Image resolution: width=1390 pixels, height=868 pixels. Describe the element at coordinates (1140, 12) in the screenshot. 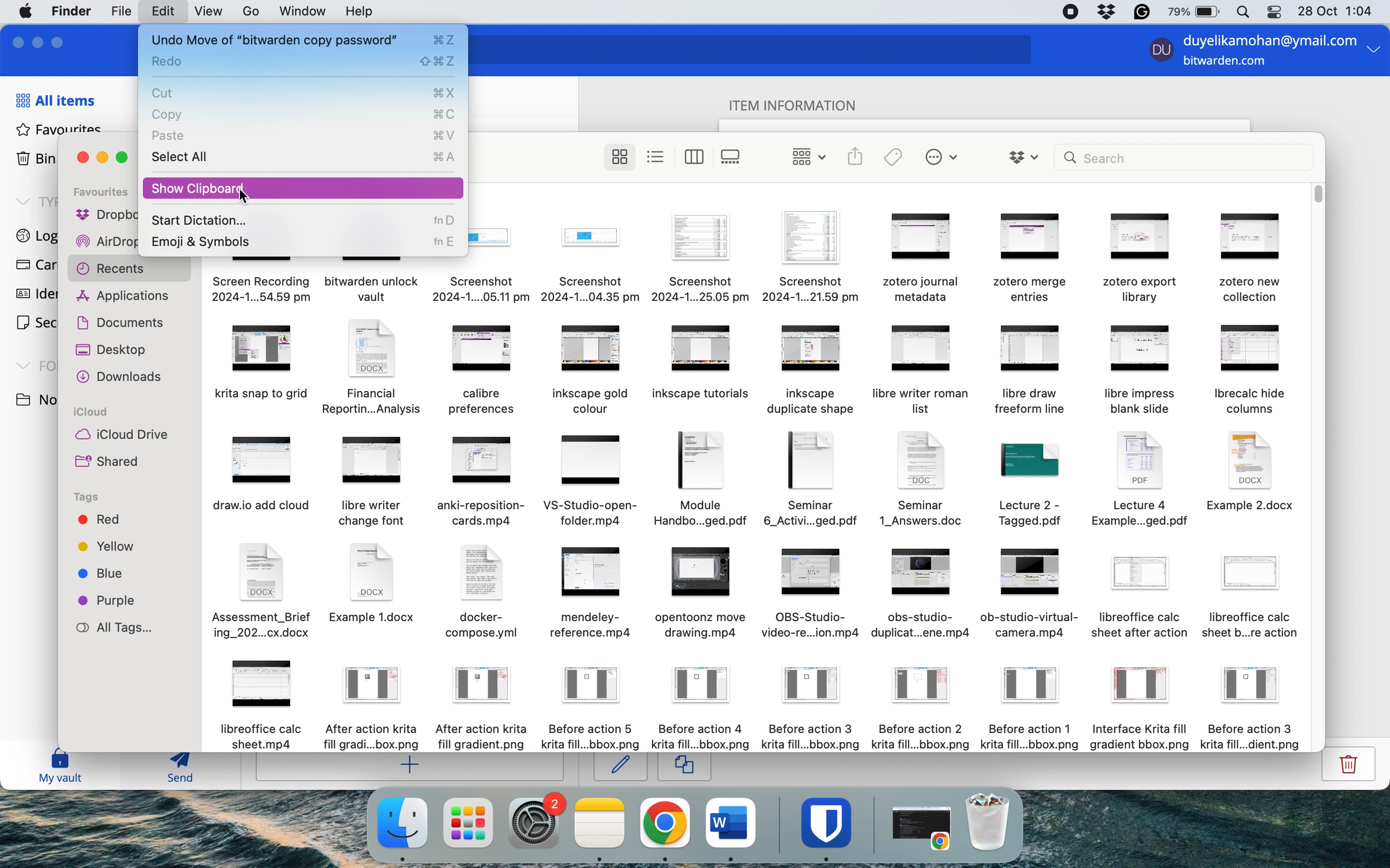

I see `grammarly` at that location.